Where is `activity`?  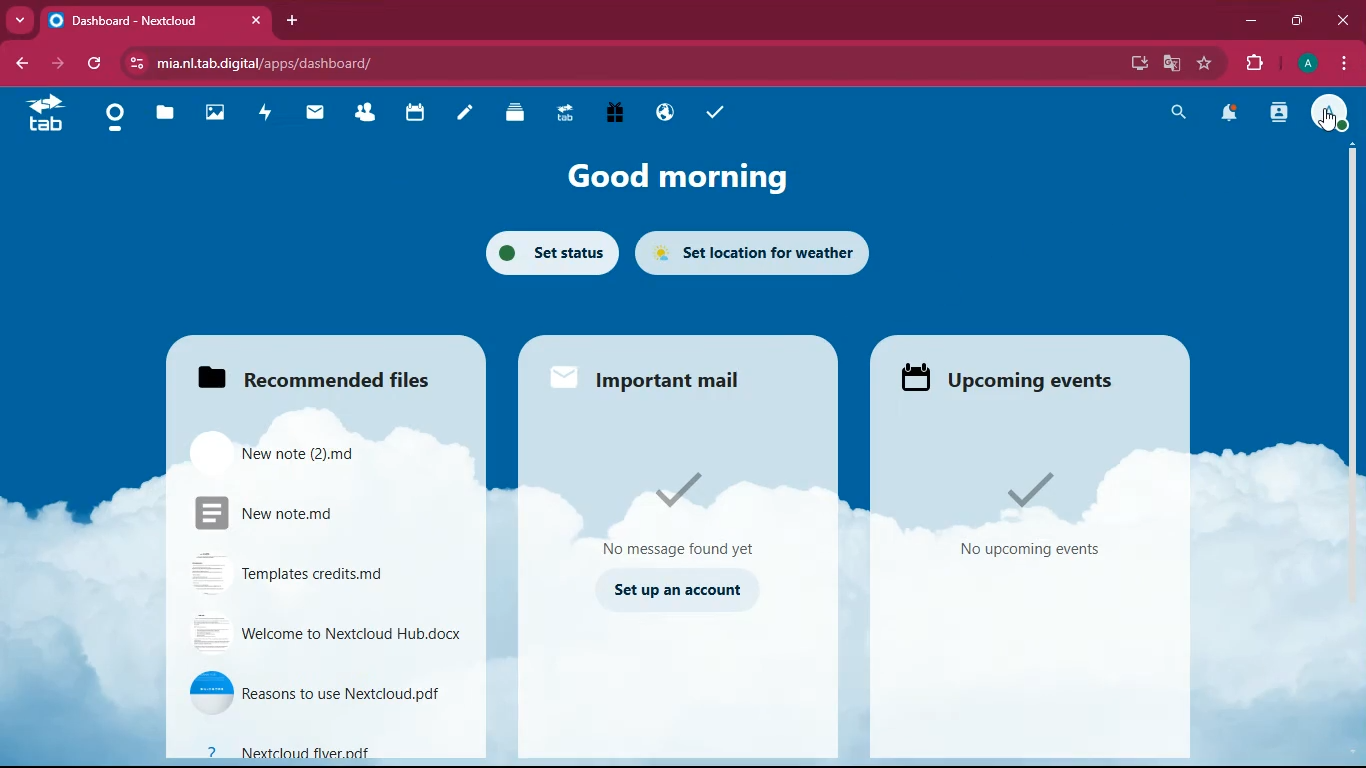
activity is located at coordinates (1278, 116).